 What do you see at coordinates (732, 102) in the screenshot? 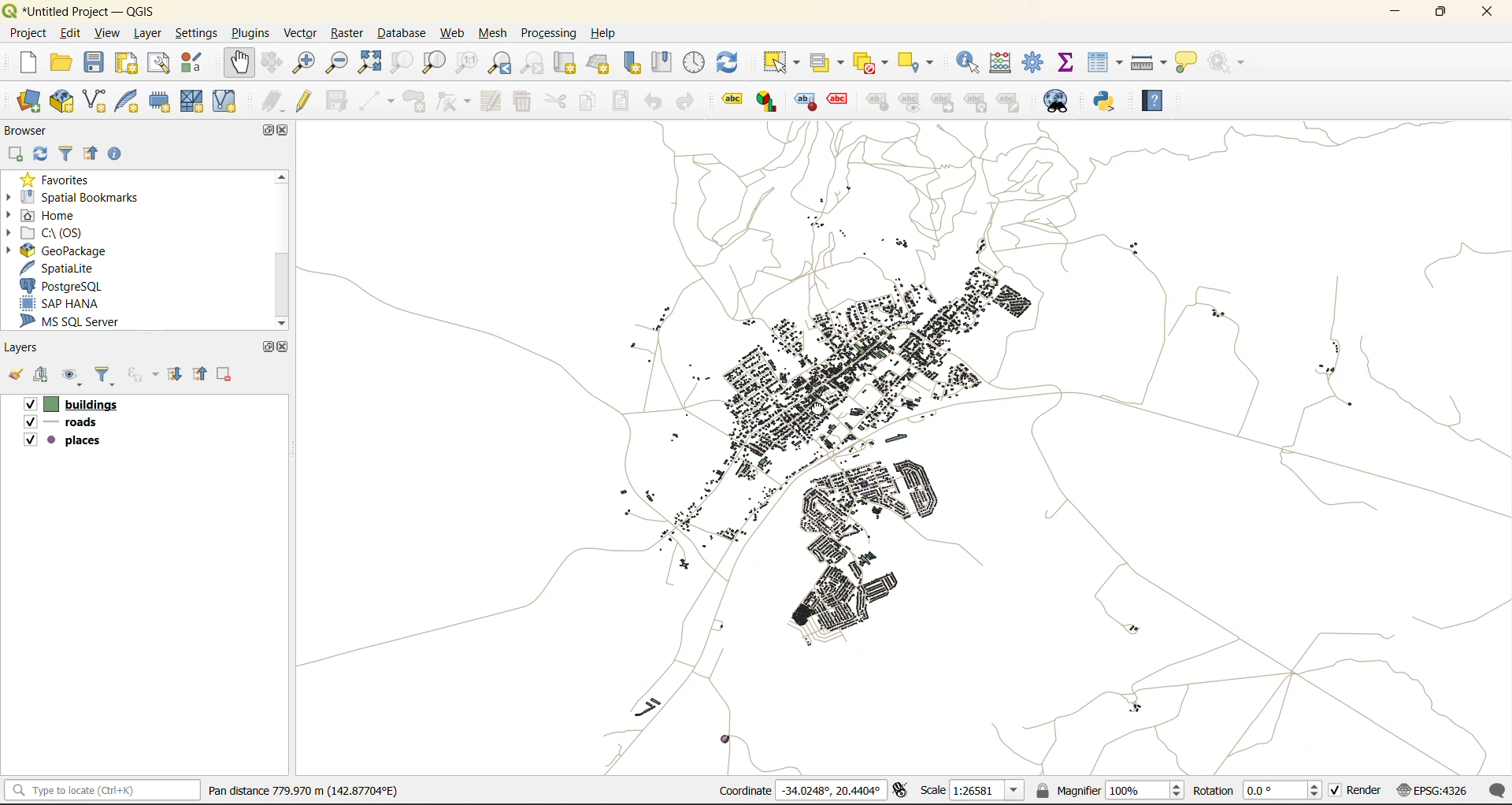
I see `Label tool` at bounding box center [732, 102].